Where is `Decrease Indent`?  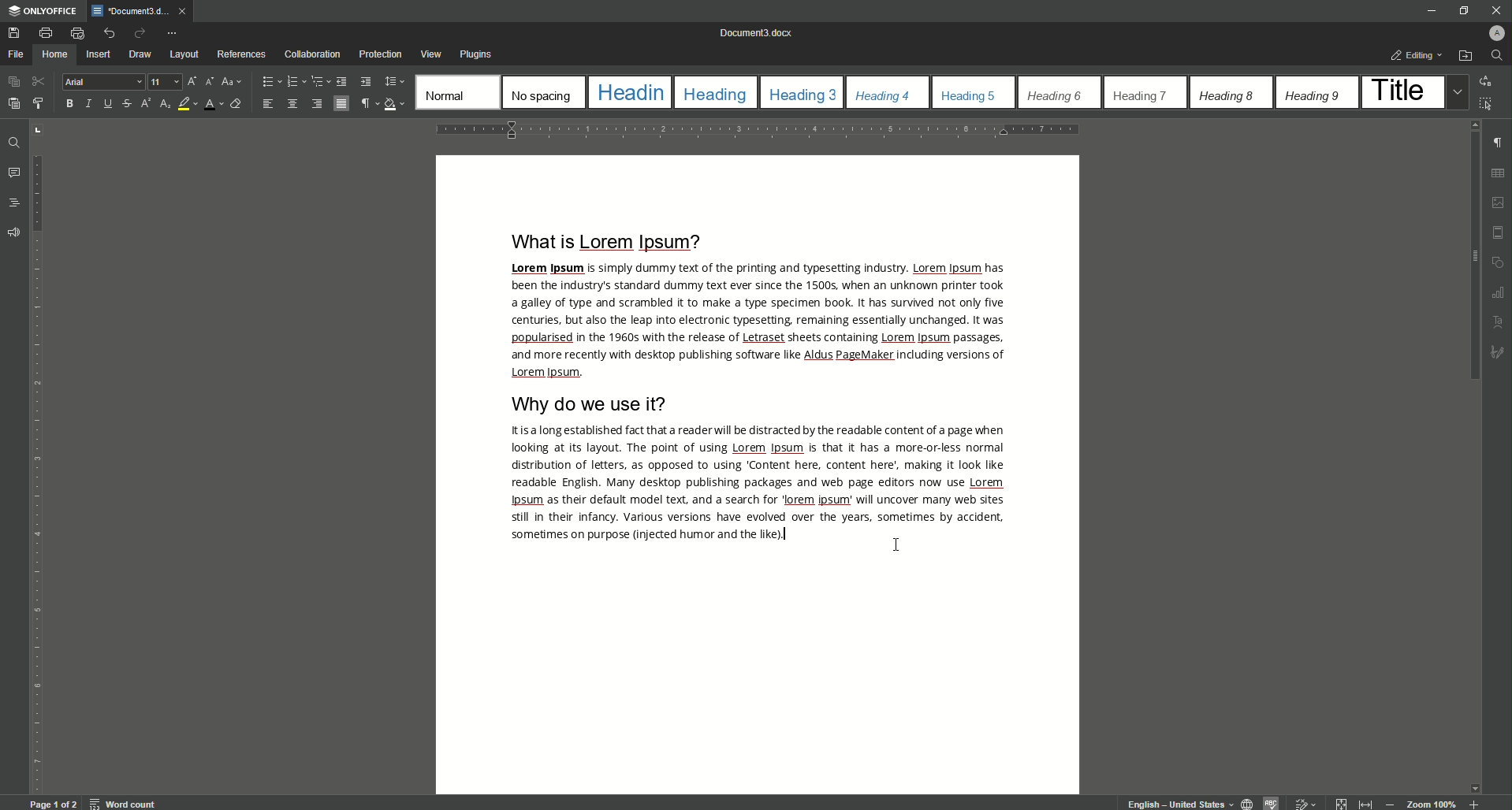
Decrease Indent is located at coordinates (343, 81).